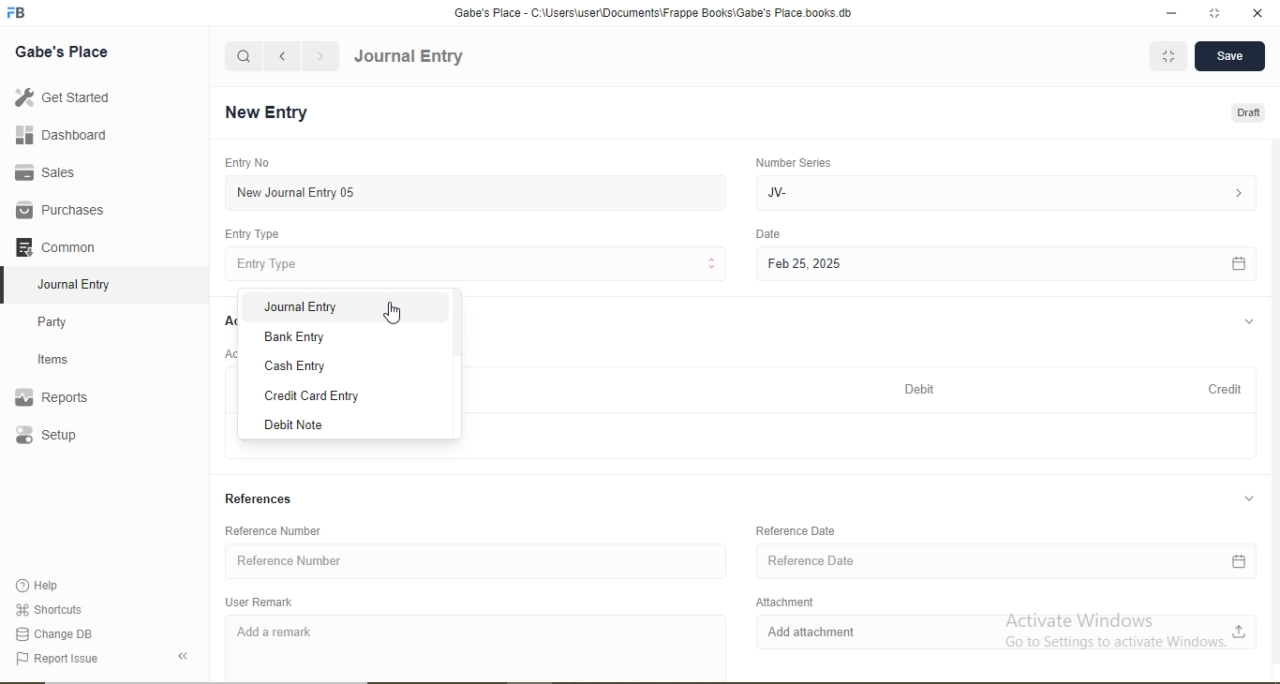 This screenshot has height=684, width=1280. Describe the element at coordinates (46, 586) in the screenshot. I see `Help` at that location.